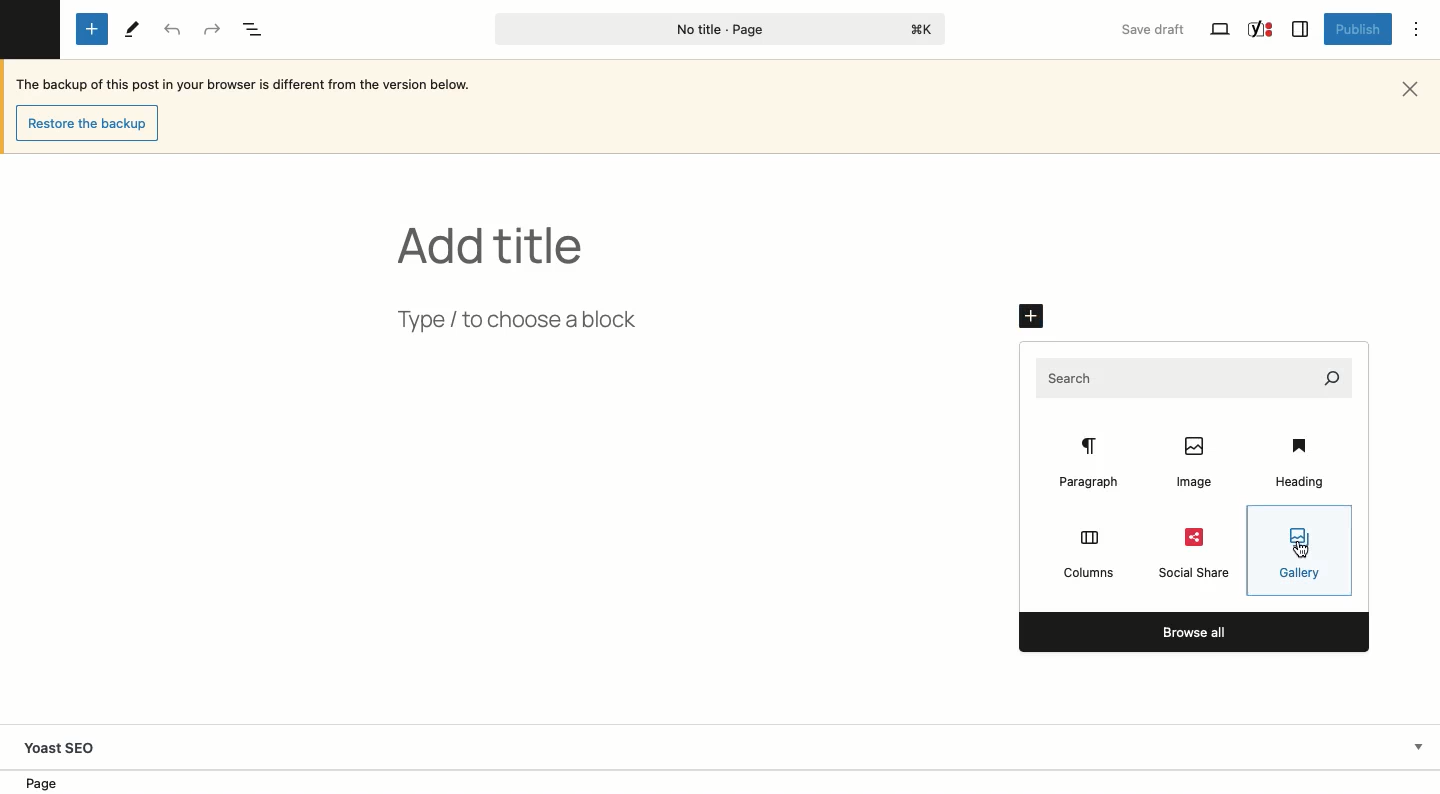 Image resolution: width=1440 pixels, height=794 pixels. Describe the element at coordinates (216, 28) in the screenshot. I see `Redo` at that location.